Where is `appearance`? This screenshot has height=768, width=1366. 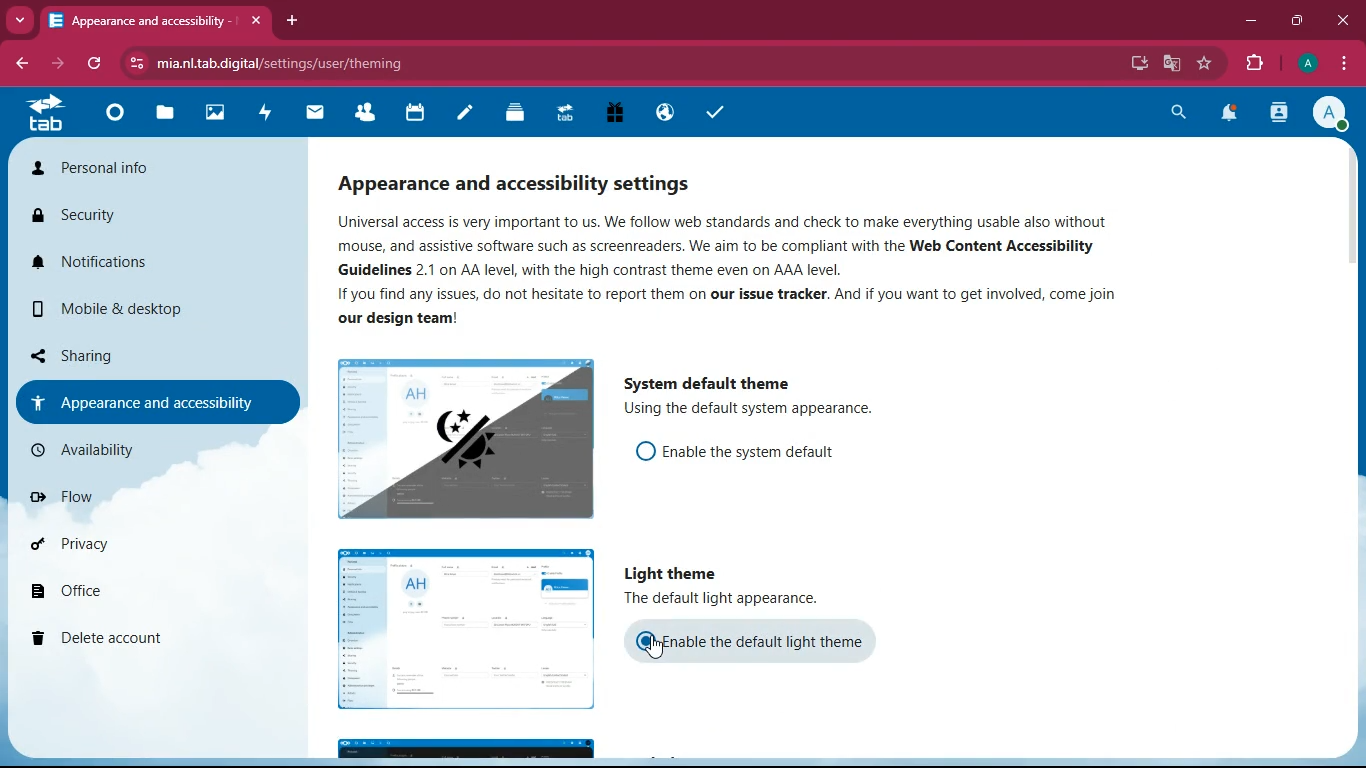 appearance is located at coordinates (162, 400).